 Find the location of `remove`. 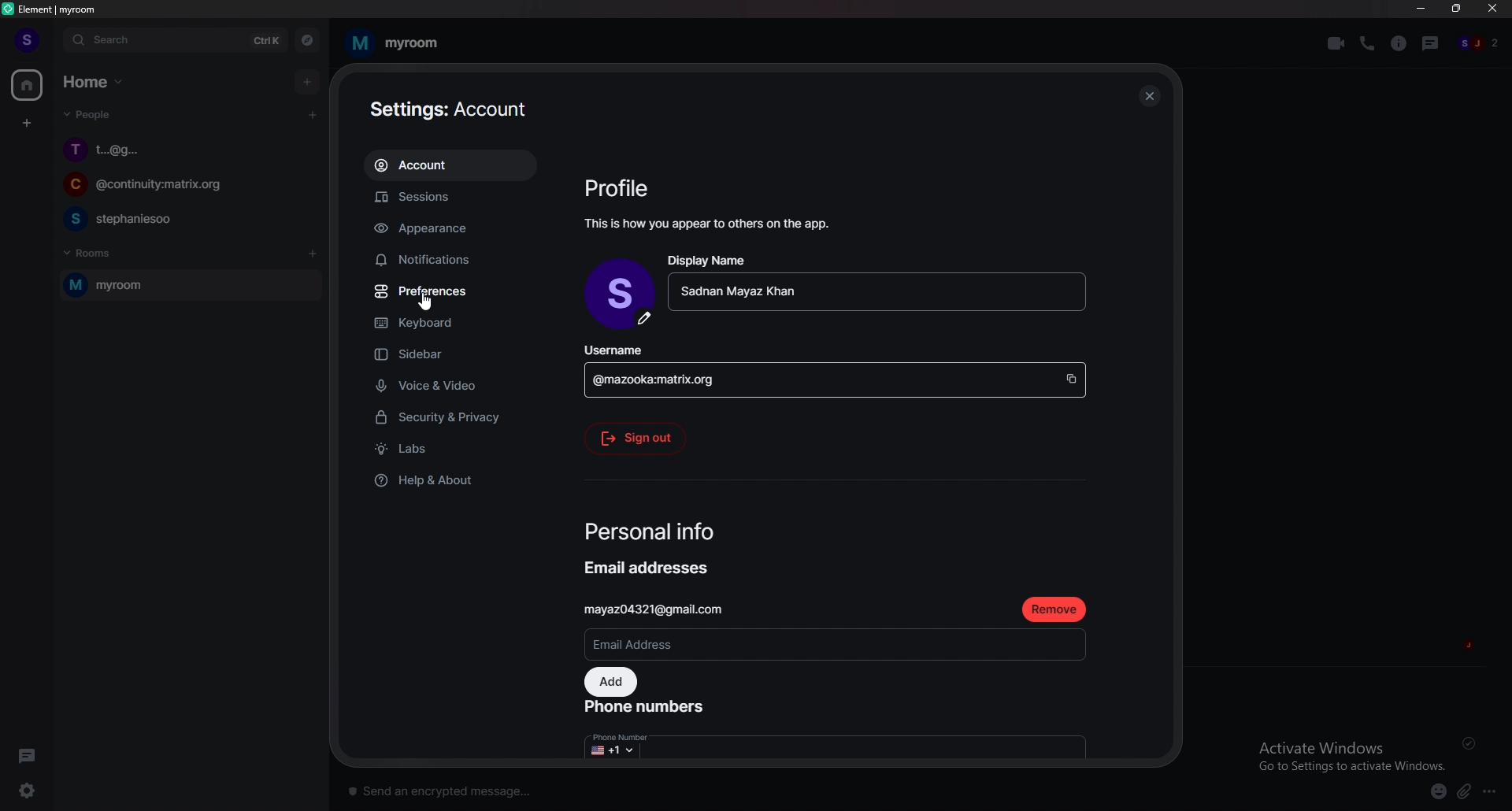

remove is located at coordinates (1054, 609).